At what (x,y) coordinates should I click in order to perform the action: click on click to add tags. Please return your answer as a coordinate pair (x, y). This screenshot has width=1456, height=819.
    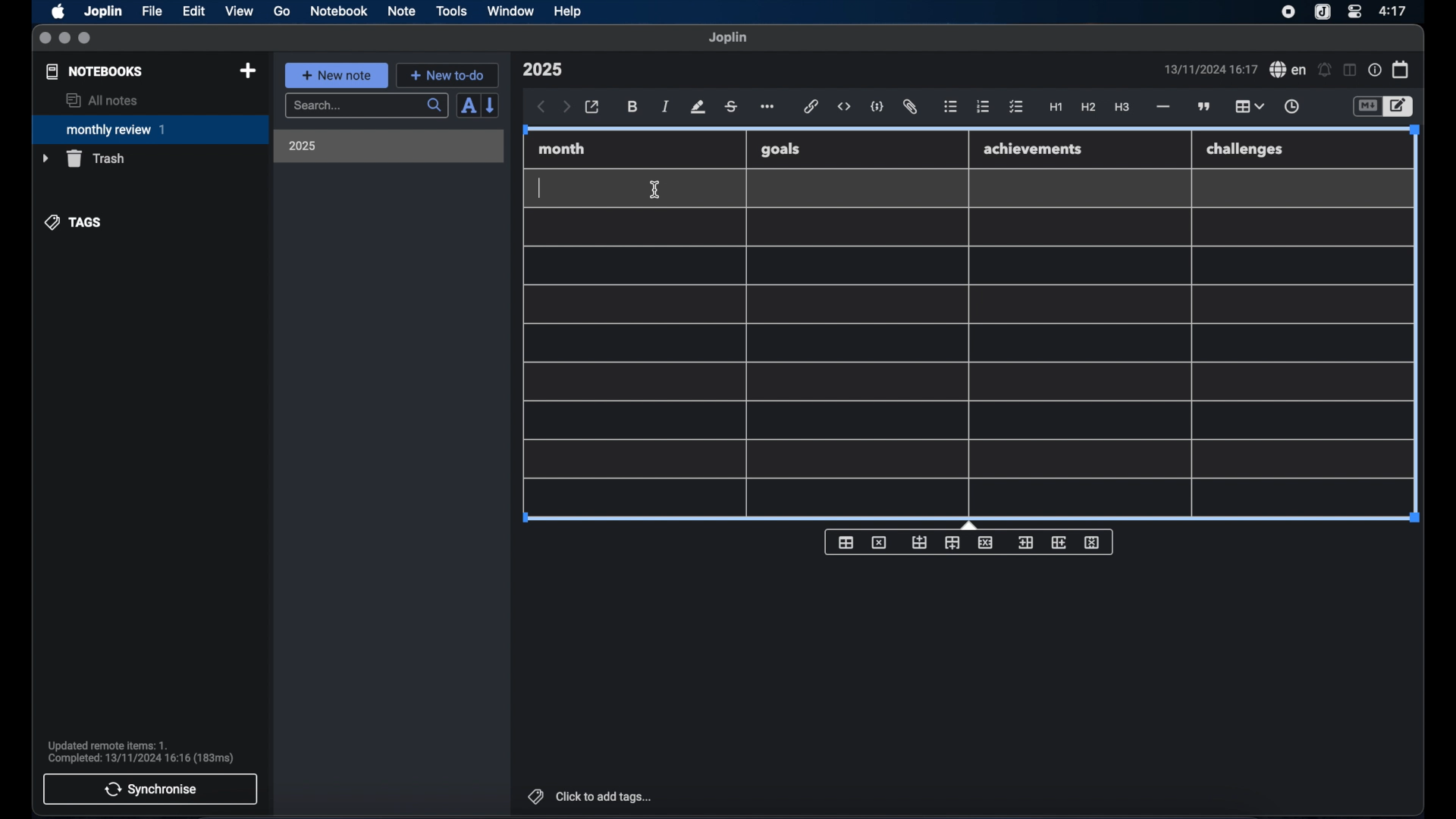
    Looking at the image, I should click on (591, 796).